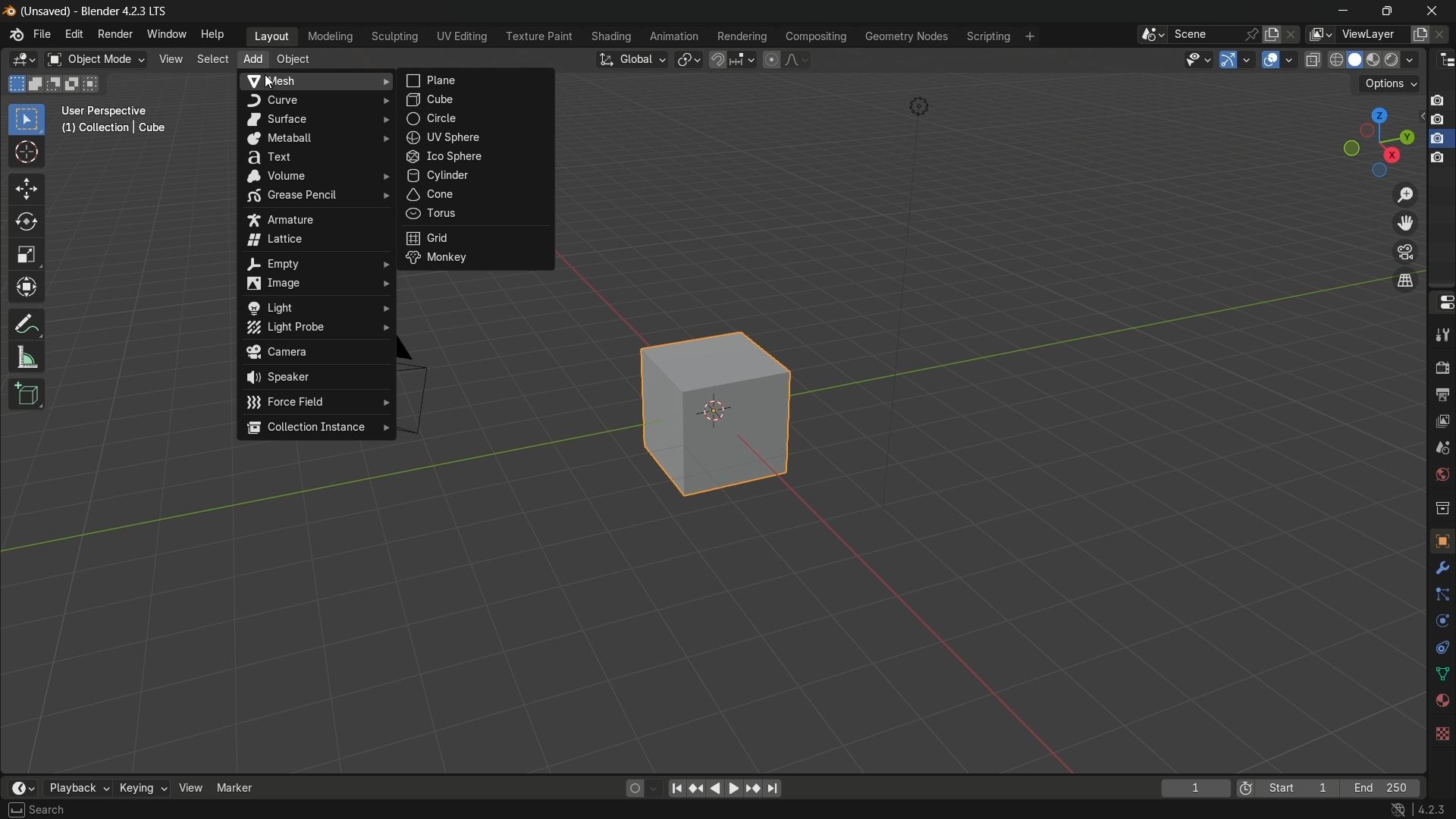 Image resolution: width=1456 pixels, height=819 pixels. What do you see at coordinates (1404, 280) in the screenshot?
I see `switch the current view` at bounding box center [1404, 280].